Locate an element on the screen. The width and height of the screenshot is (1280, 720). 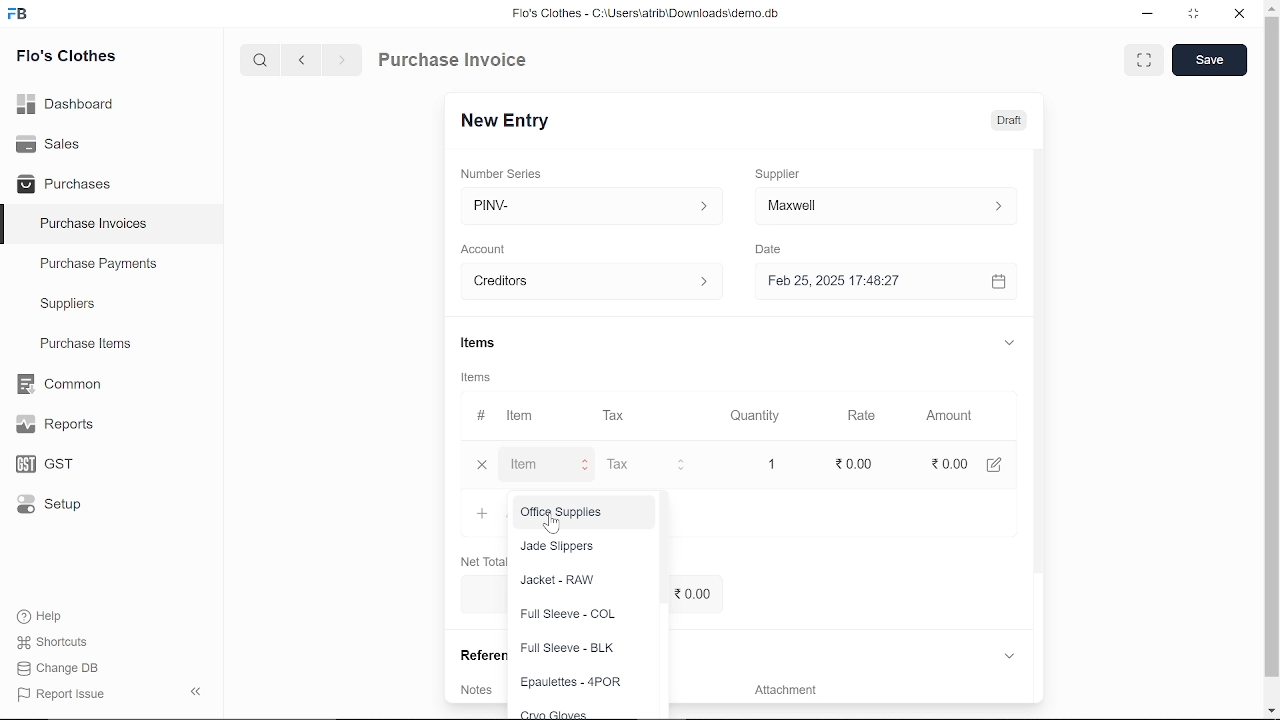
 Feb 25, 2025 17:48:27 is located at coordinates (866, 280).